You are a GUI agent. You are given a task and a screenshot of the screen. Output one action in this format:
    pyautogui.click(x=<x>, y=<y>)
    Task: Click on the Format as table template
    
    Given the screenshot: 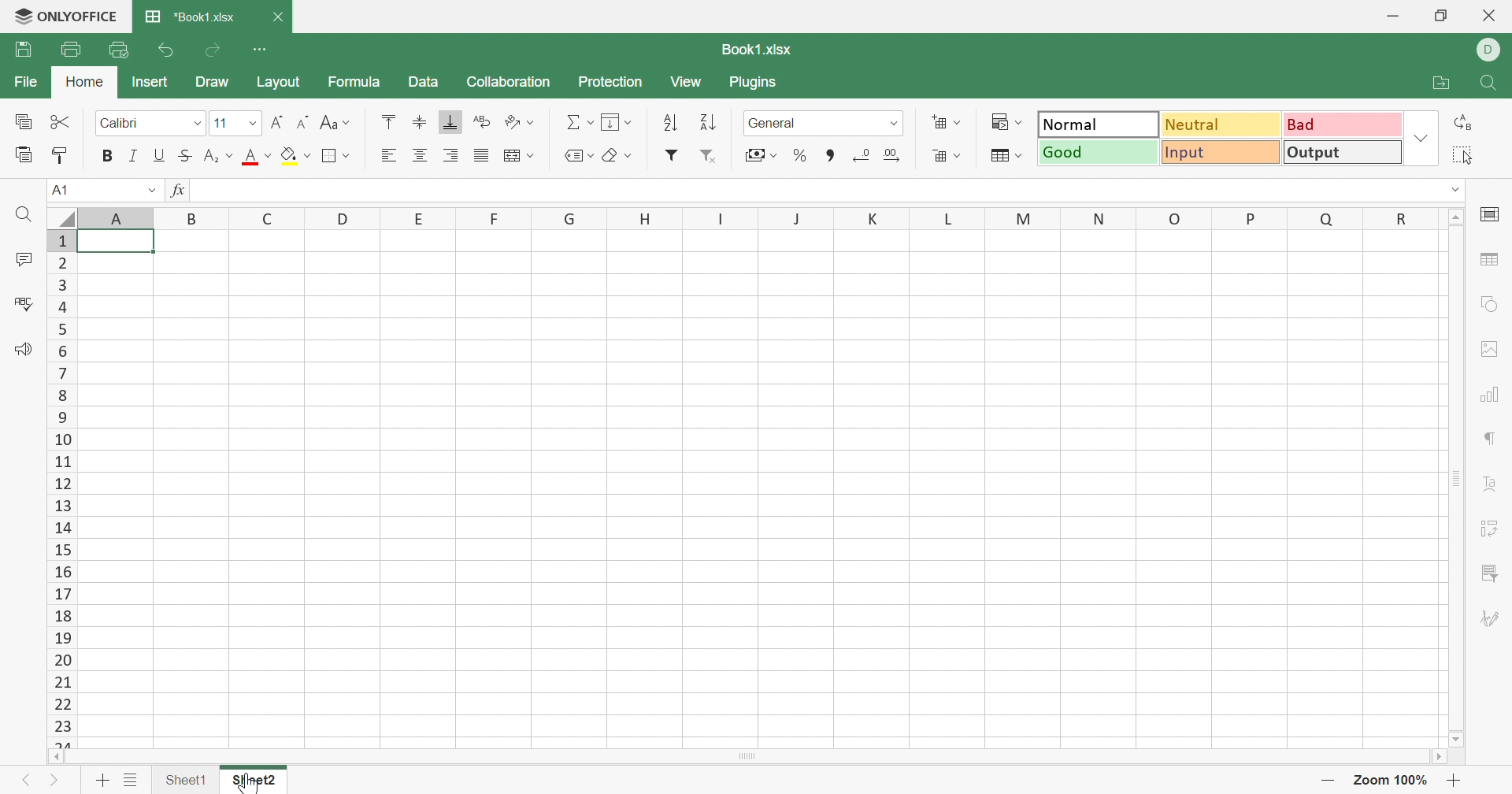 What is the action you would take?
    pyautogui.click(x=1002, y=158)
    